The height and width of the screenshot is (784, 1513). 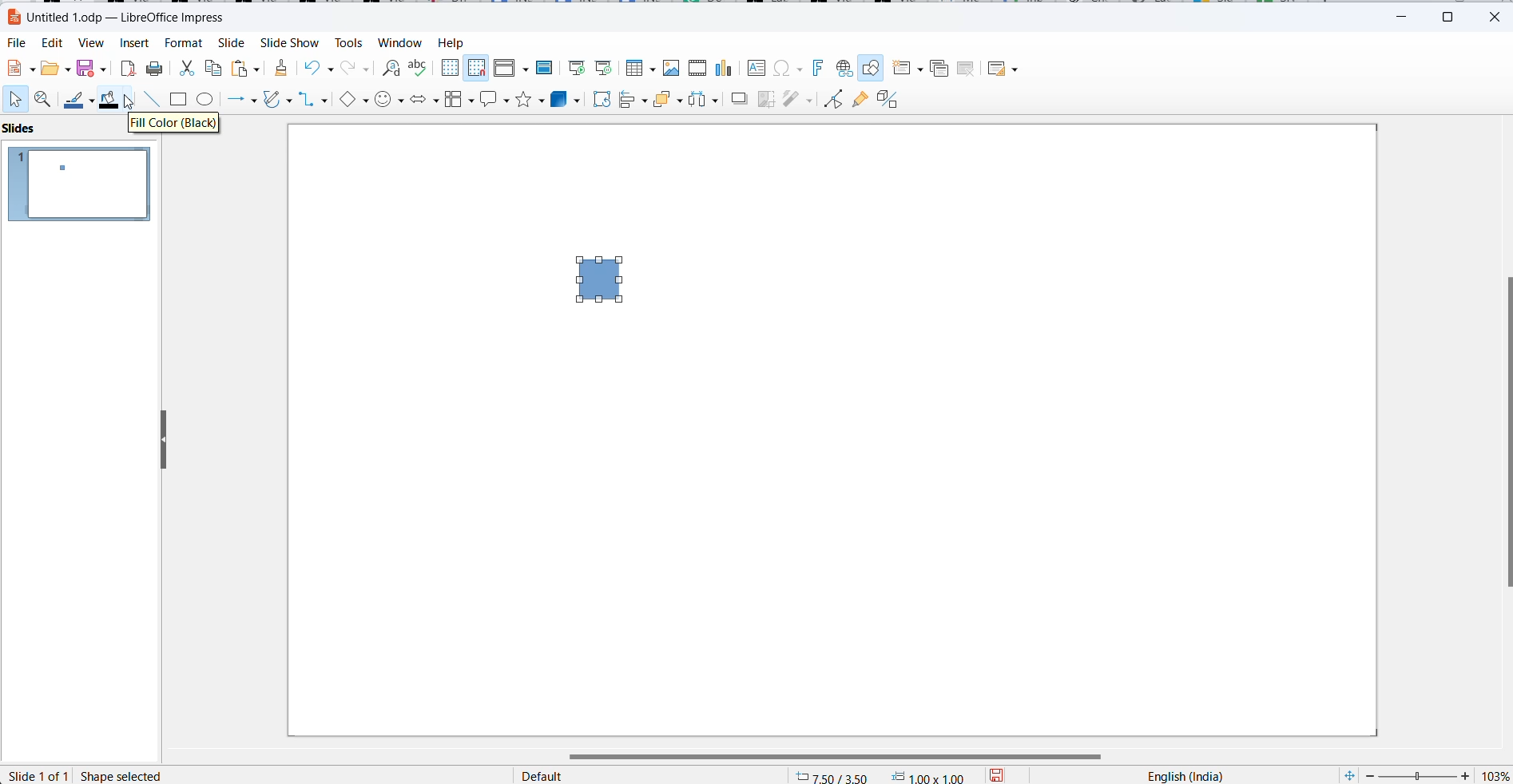 What do you see at coordinates (1006, 69) in the screenshot?
I see `Slide layout` at bounding box center [1006, 69].